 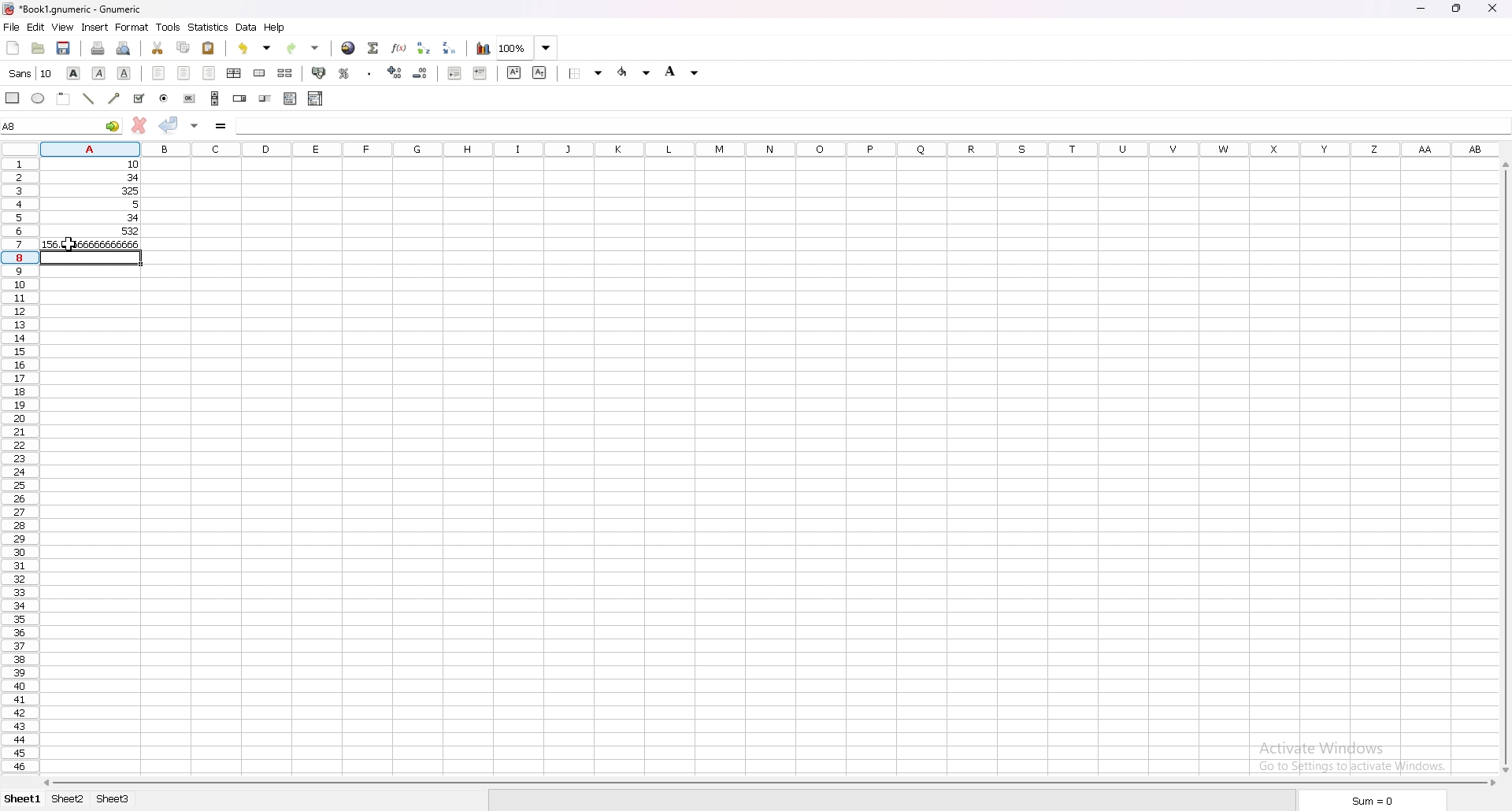 What do you see at coordinates (1455, 8) in the screenshot?
I see `resize` at bounding box center [1455, 8].